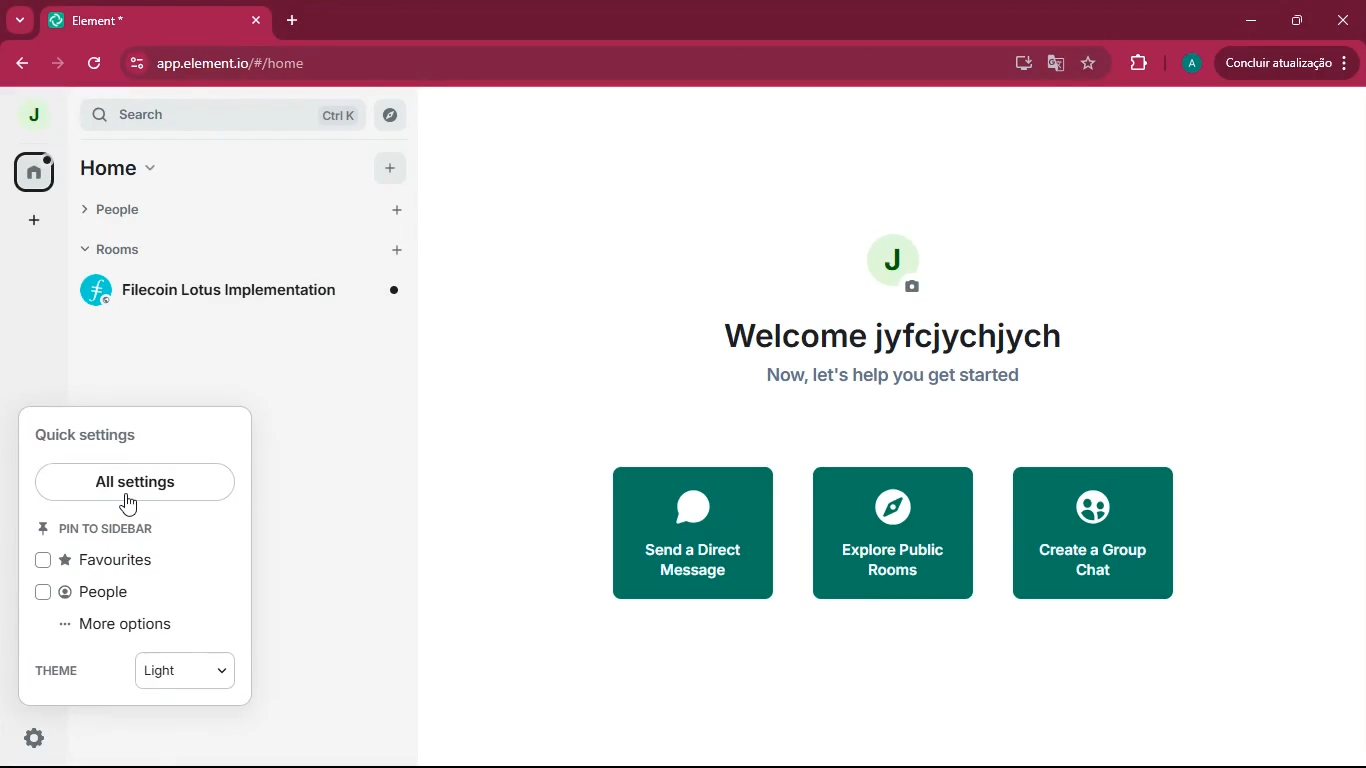  Describe the element at coordinates (673, 533) in the screenshot. I see `send ` at that location.